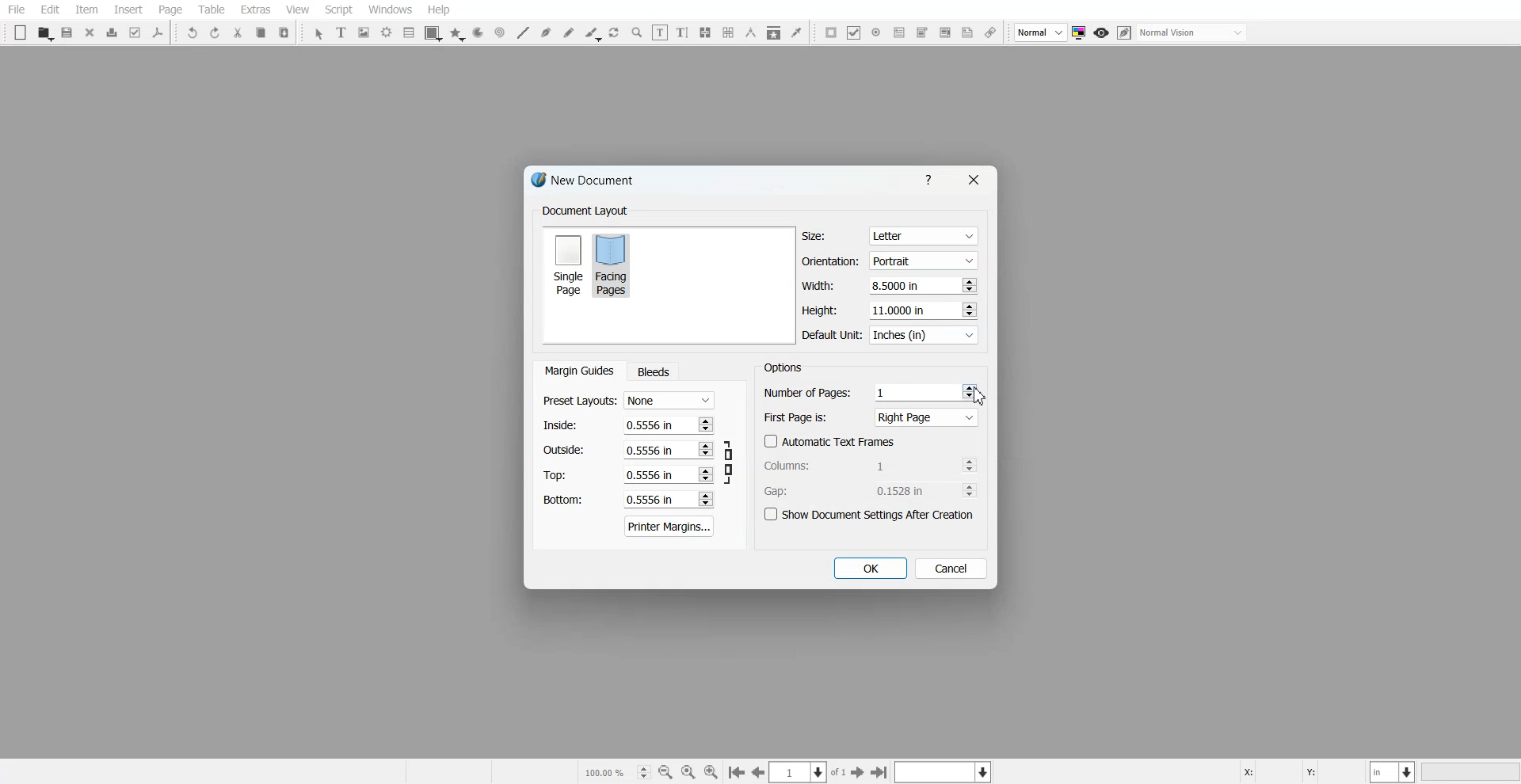  I want to click on Undo, so click(193, 32).